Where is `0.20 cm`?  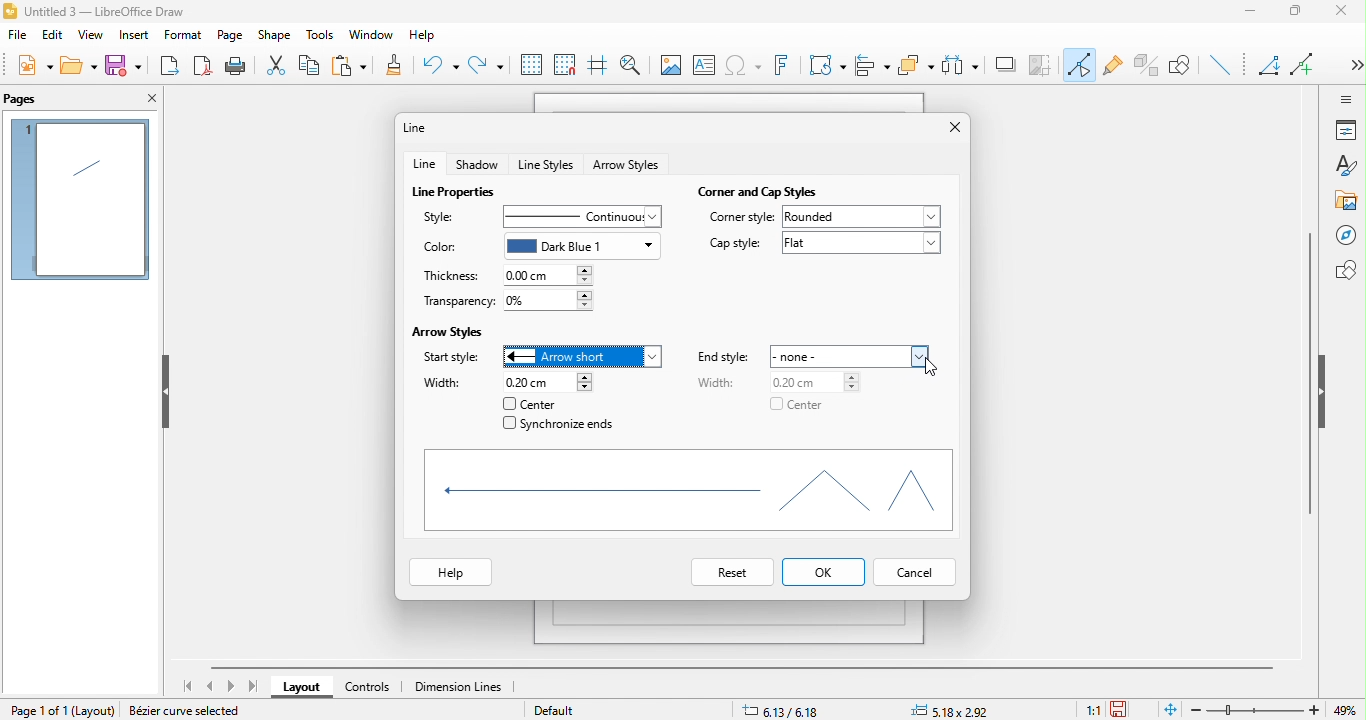
0.20 cm is located at coordinates (806, 381).